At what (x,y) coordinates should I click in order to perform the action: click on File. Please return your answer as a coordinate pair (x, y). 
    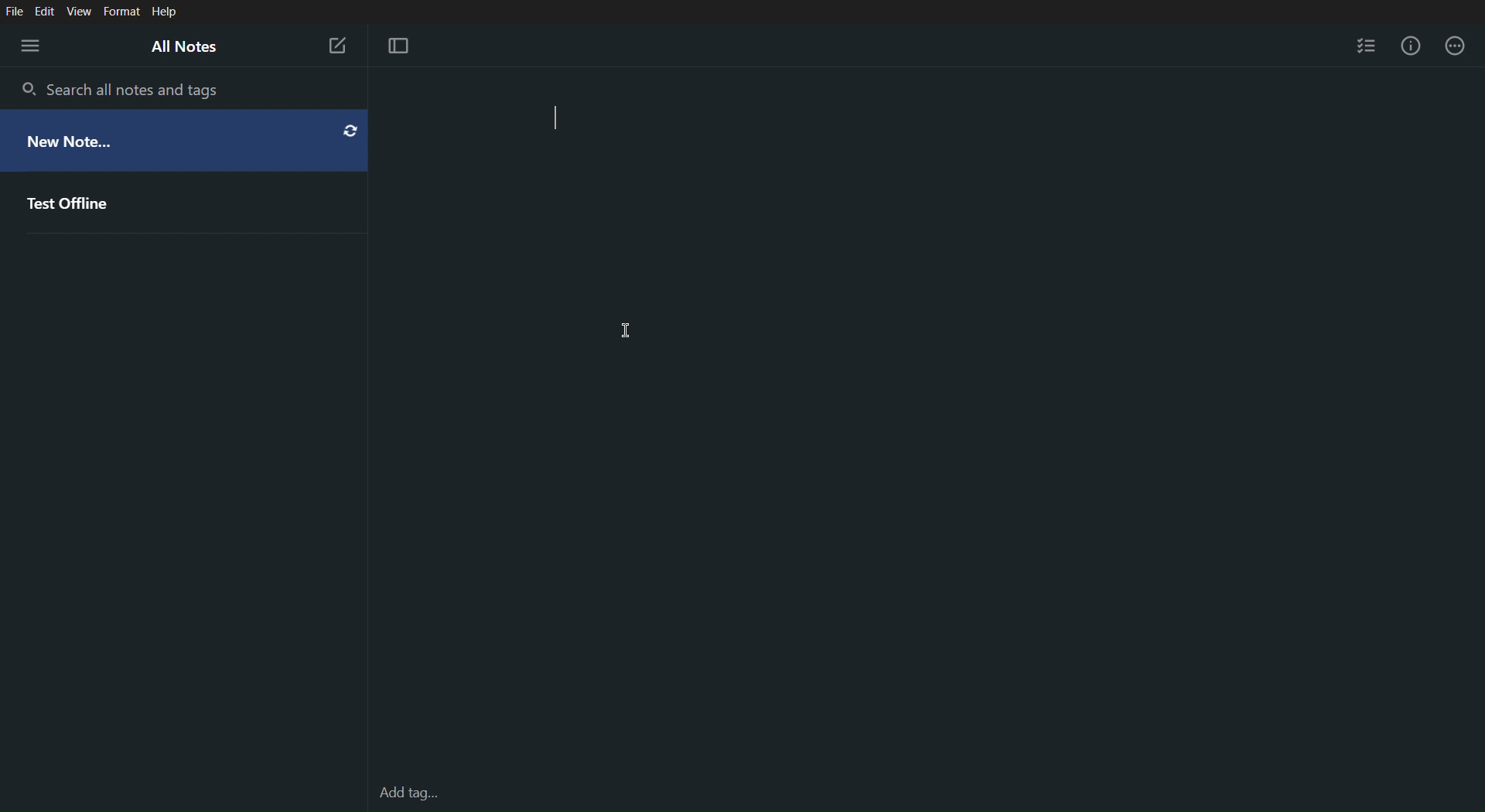
    Looking at the image, I should click on (15, 9).